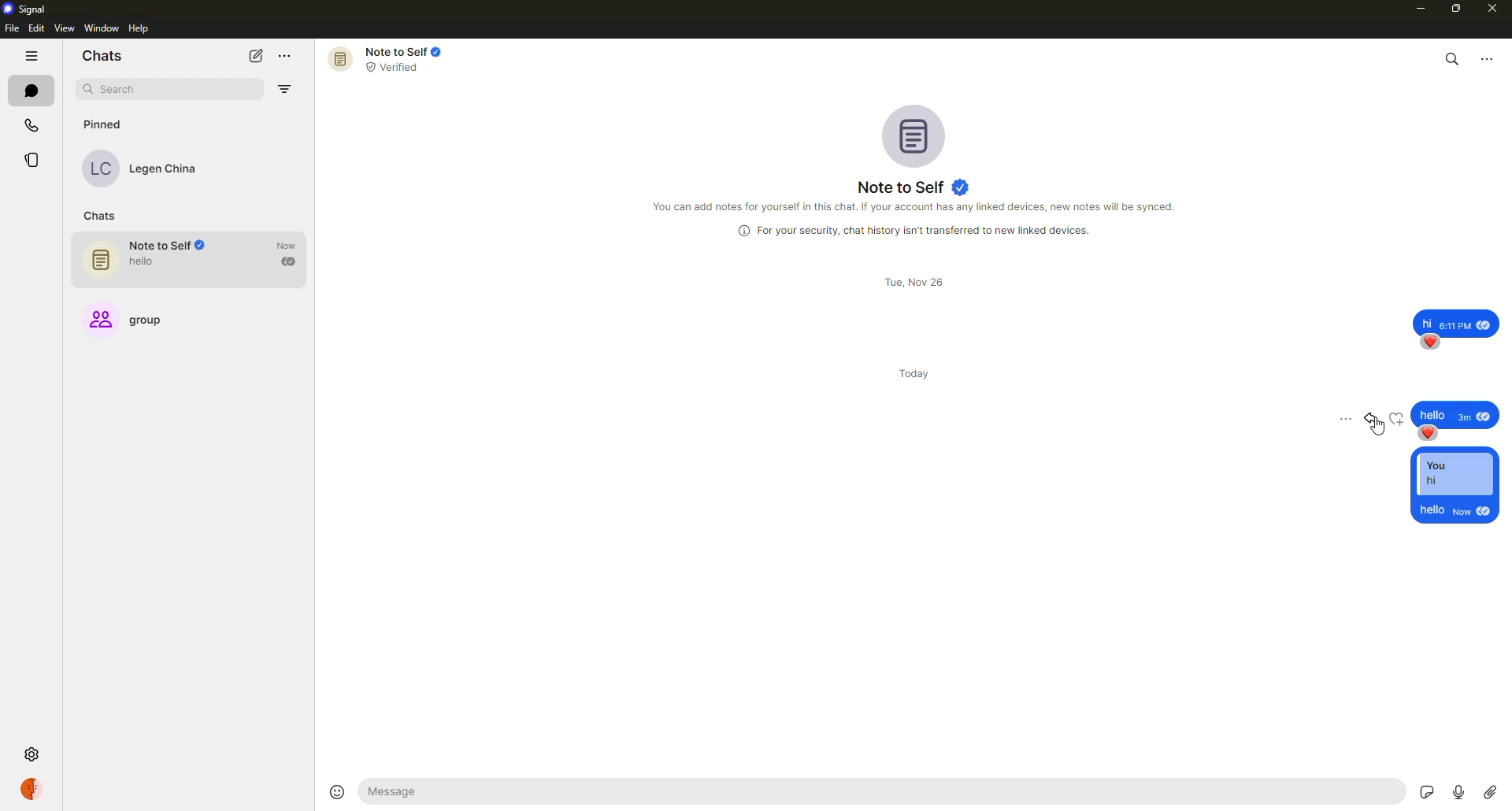  Describe the element at coordinates (151, 168) in the screenshot. I see `contact` at that location.